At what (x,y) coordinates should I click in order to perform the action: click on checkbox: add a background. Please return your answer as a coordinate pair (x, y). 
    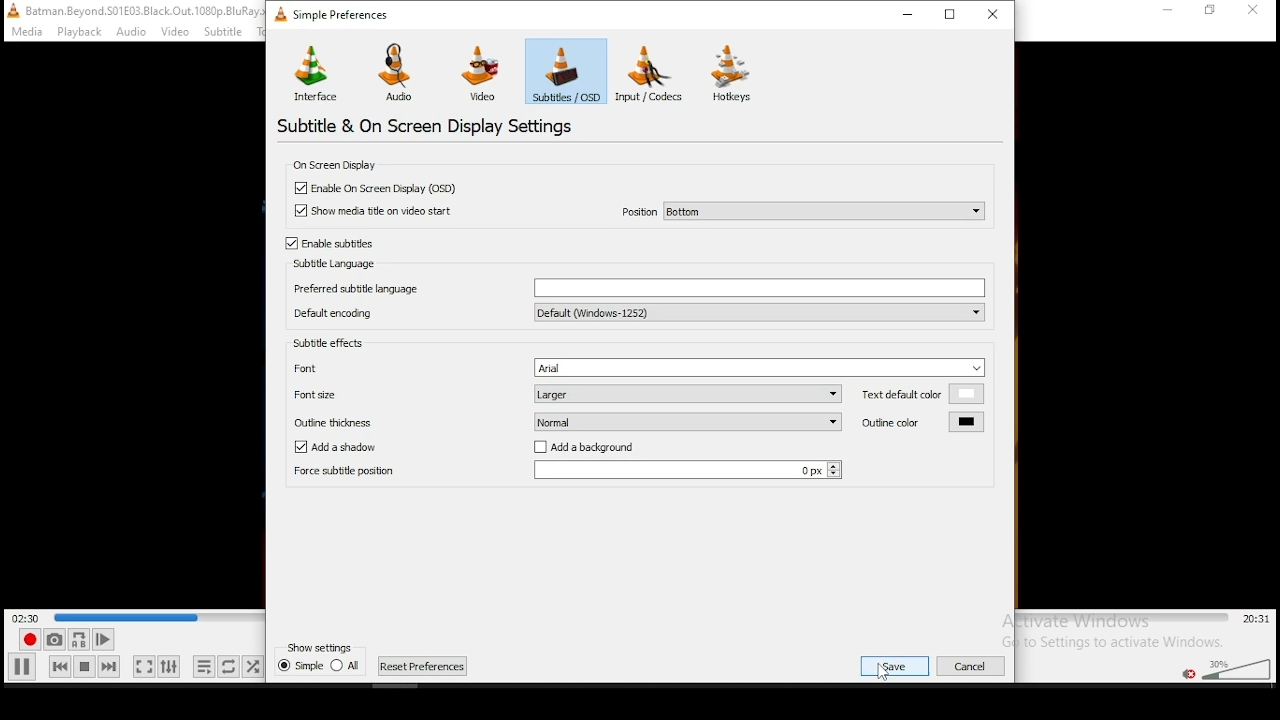
    Looking at the image, I should click on (584, 448).